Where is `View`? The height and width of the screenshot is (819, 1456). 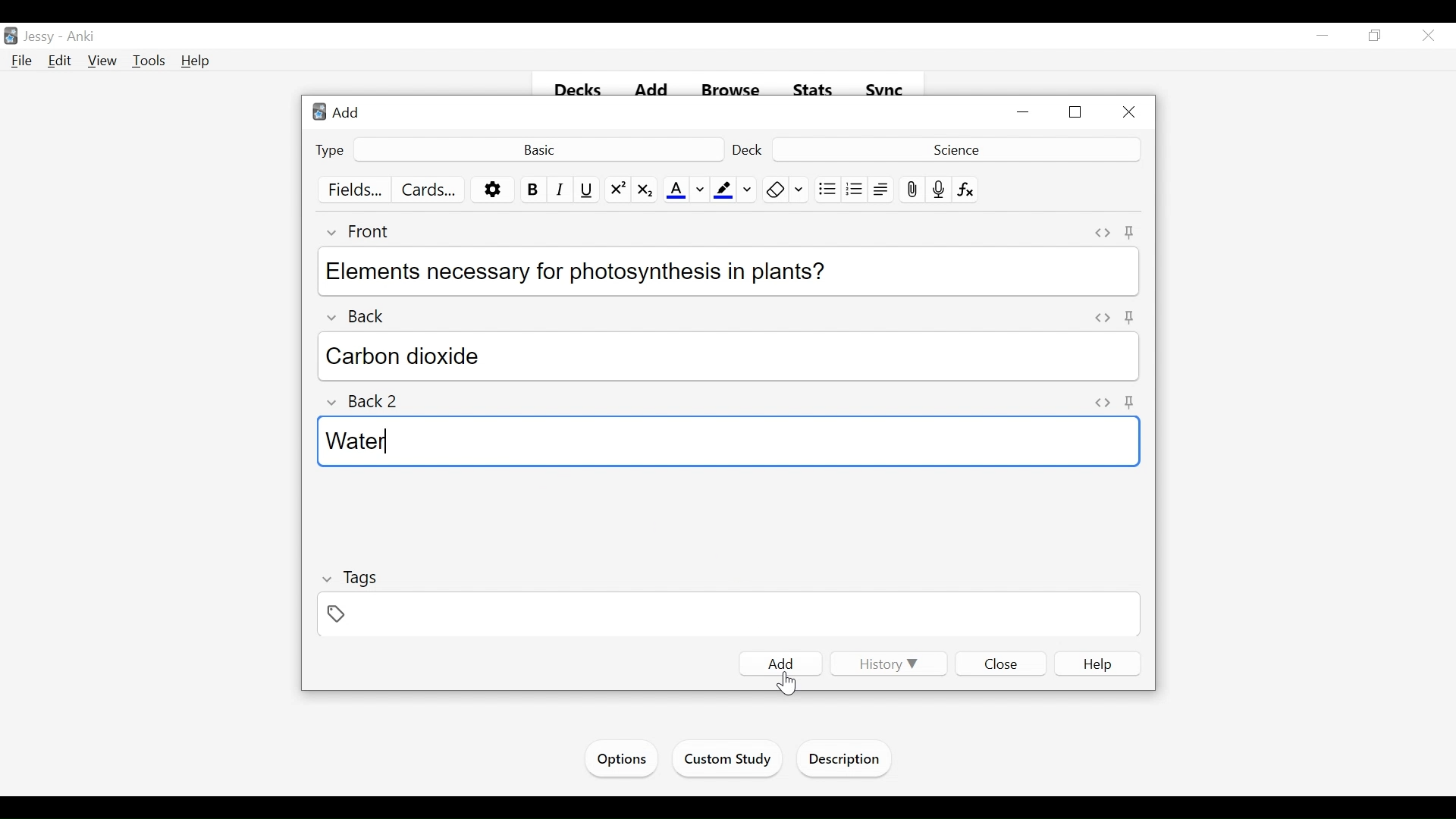
View is located at coordinates (103, 61).